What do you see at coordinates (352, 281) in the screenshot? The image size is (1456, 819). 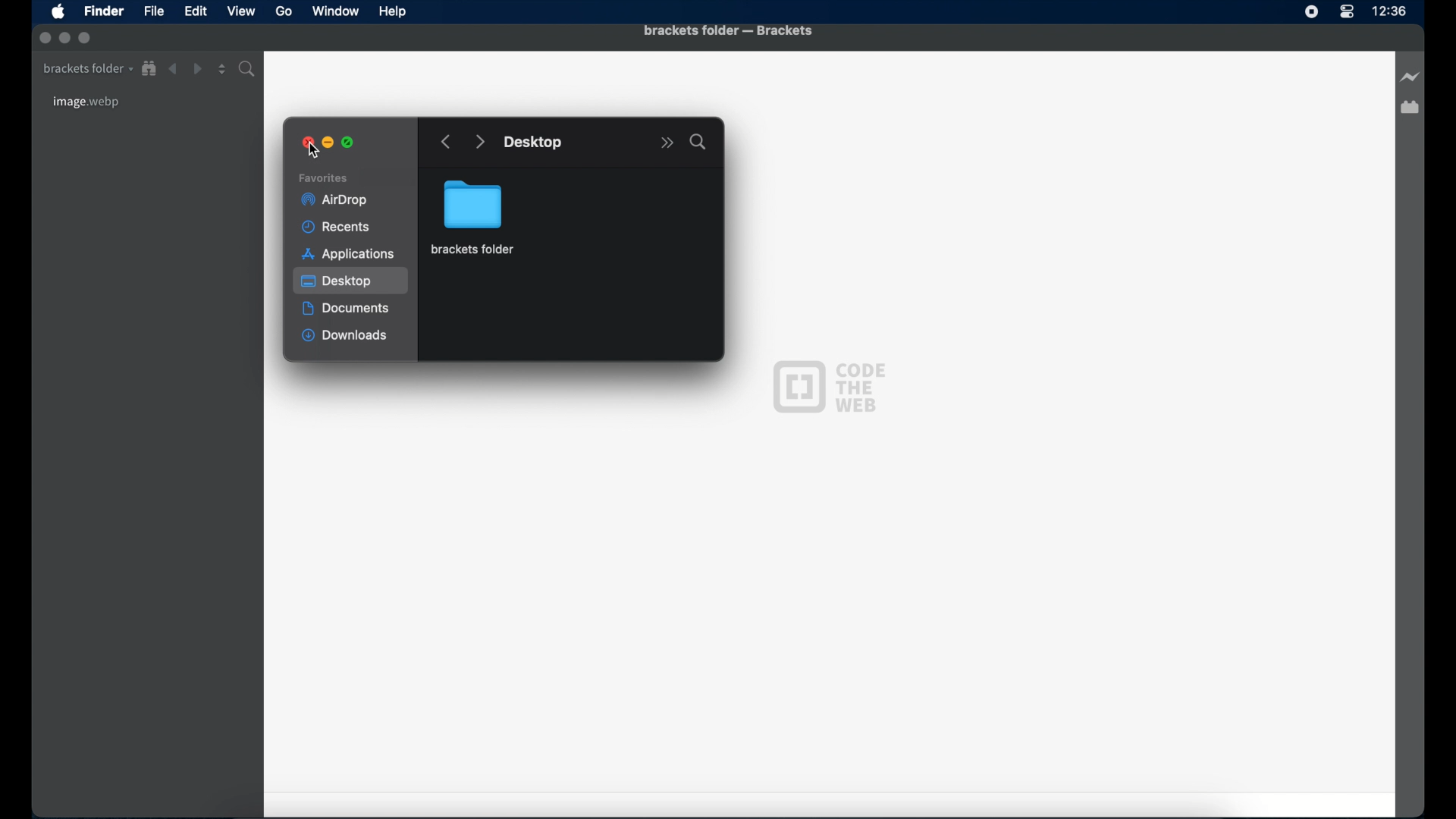 I see `desktop` at bounding box center [352, 281].